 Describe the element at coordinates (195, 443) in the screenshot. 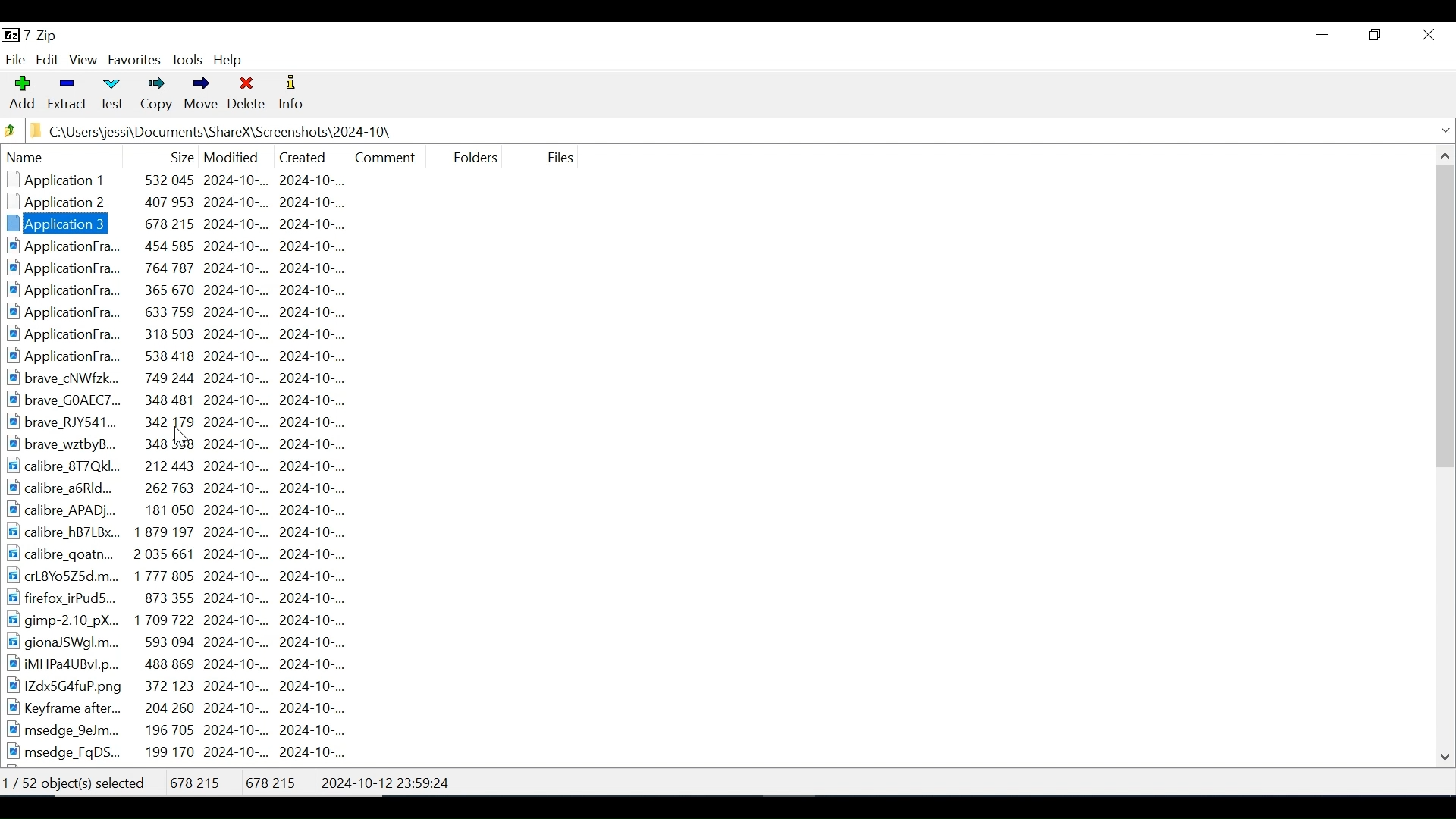

I see ` brave_wztbyB... 348 338 2024-10-... 2024-10-...` at that location.